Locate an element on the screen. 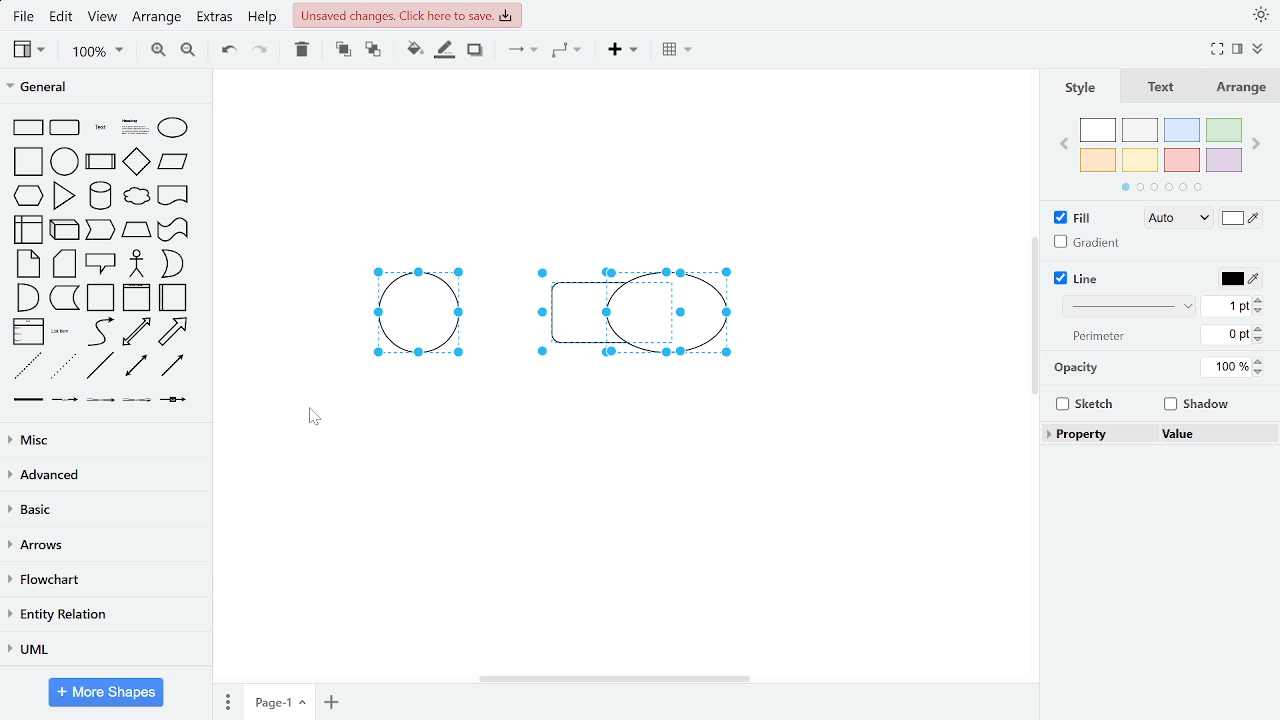  green is located at coordinates (1222, 131).